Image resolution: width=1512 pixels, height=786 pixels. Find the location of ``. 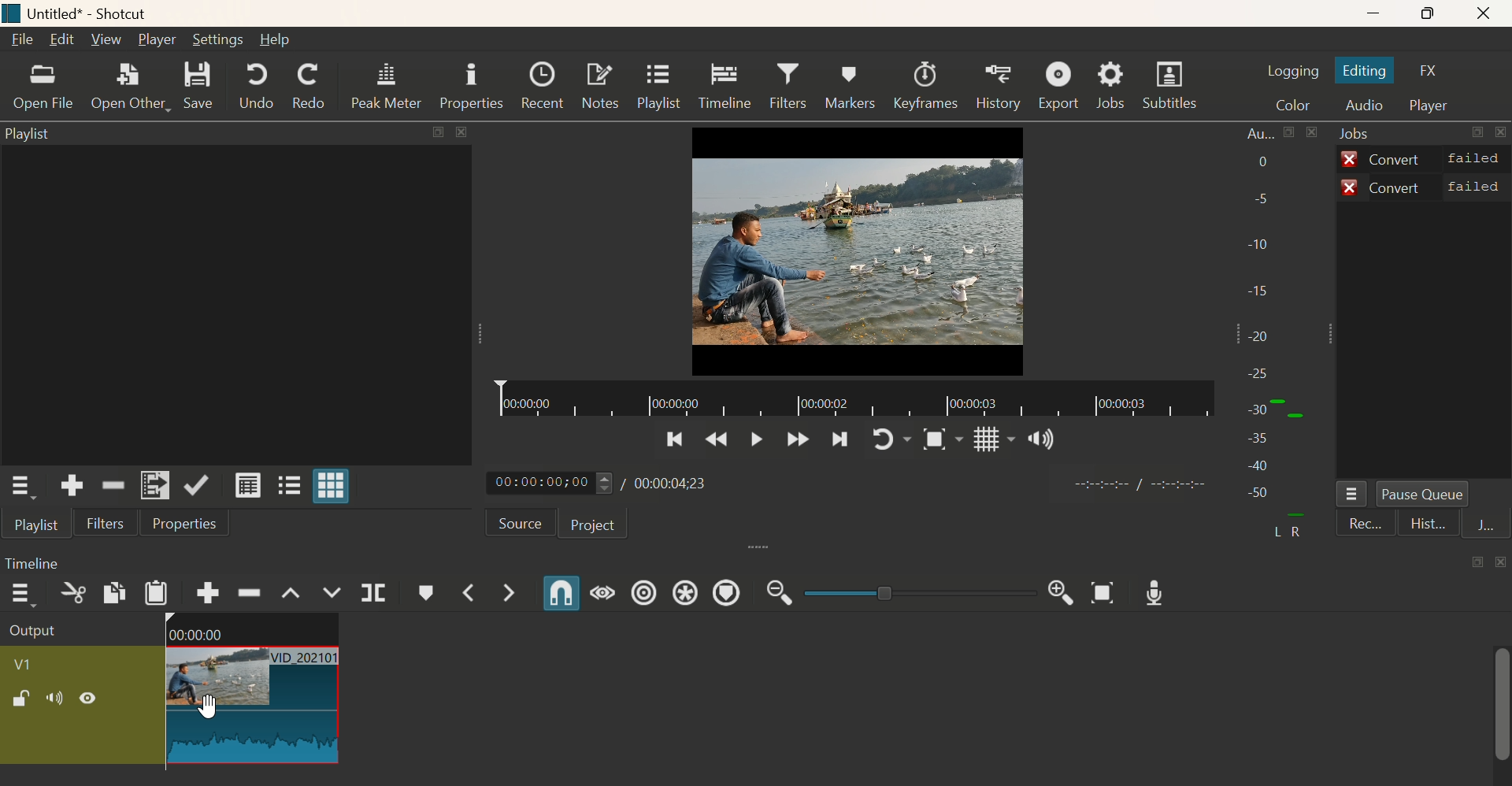

 is located at coordinates (1158, 593).